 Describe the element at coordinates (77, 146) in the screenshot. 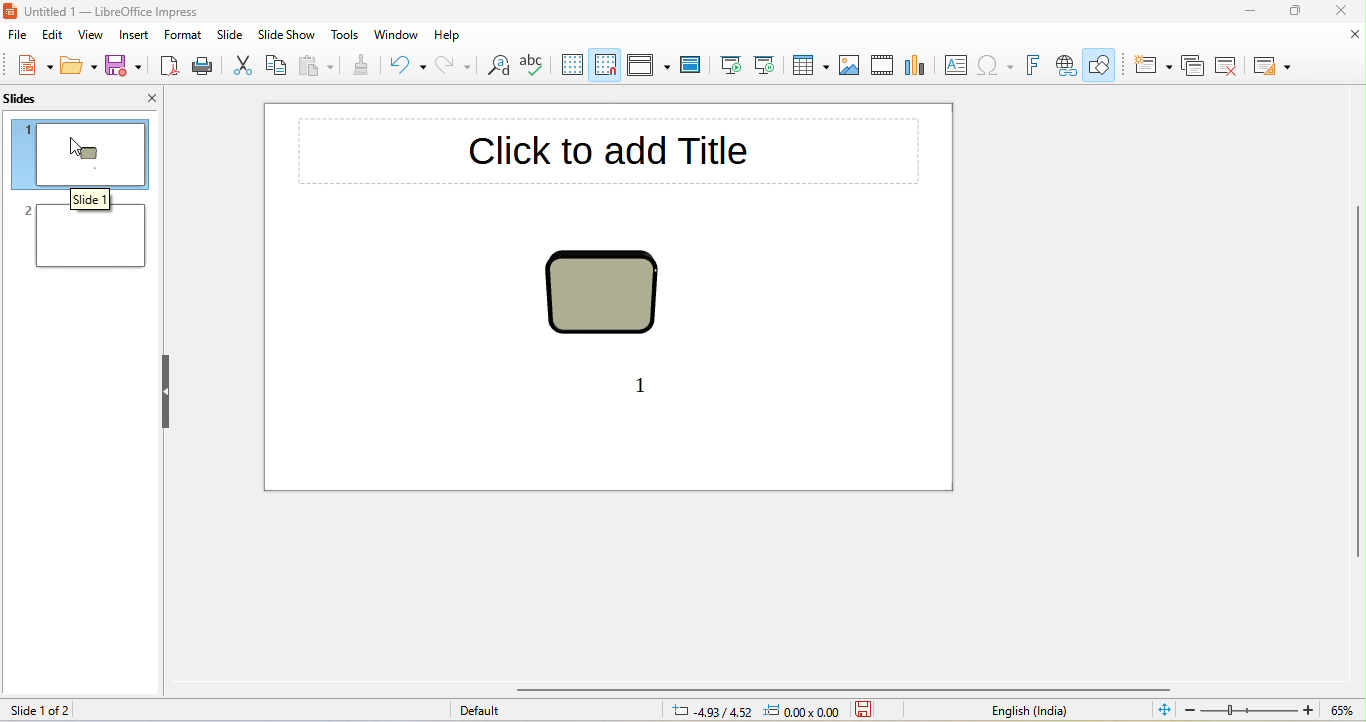

I see `cursor` at that location.